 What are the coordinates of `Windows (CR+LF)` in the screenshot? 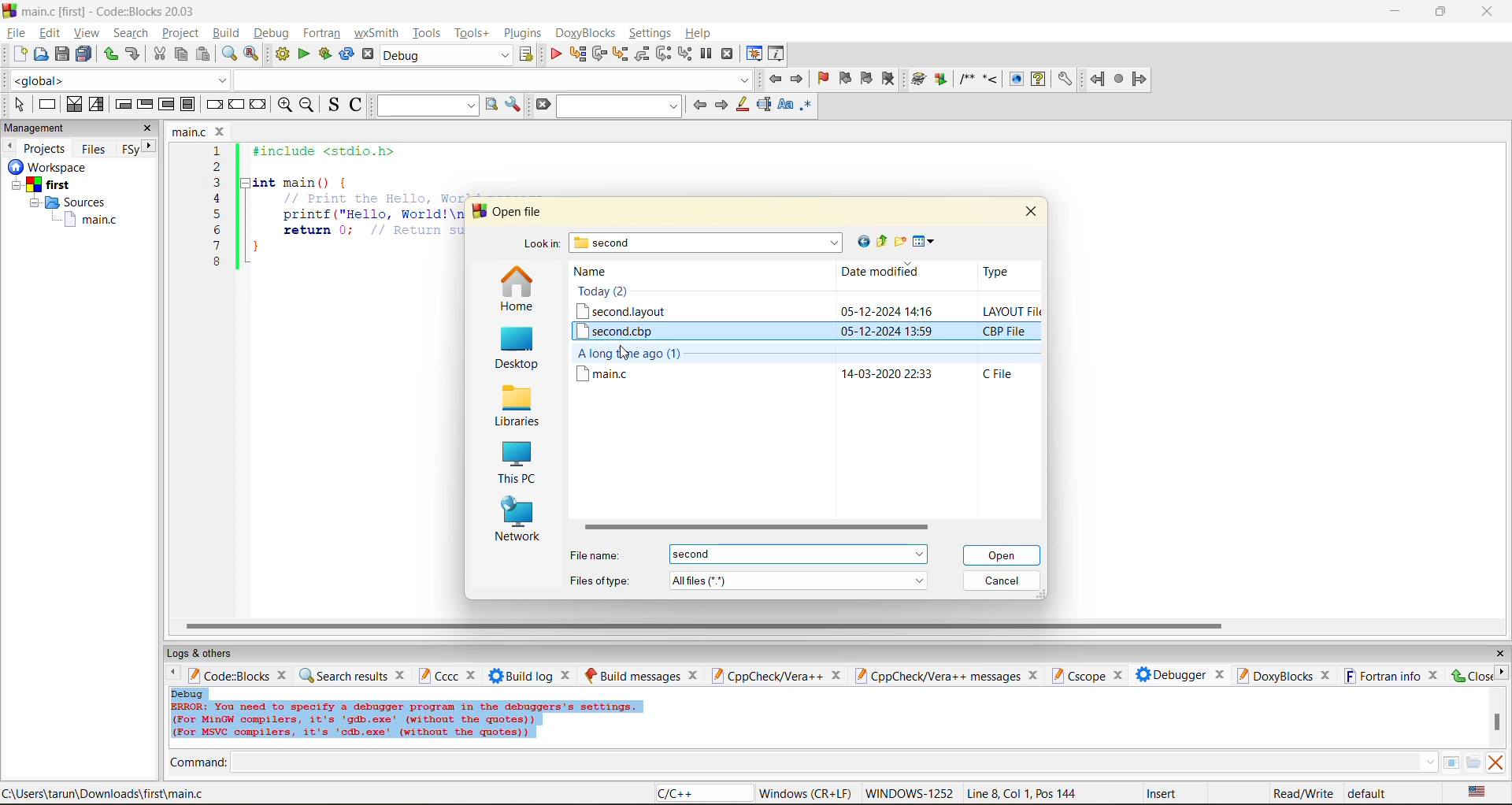 It's located at (807, 793).